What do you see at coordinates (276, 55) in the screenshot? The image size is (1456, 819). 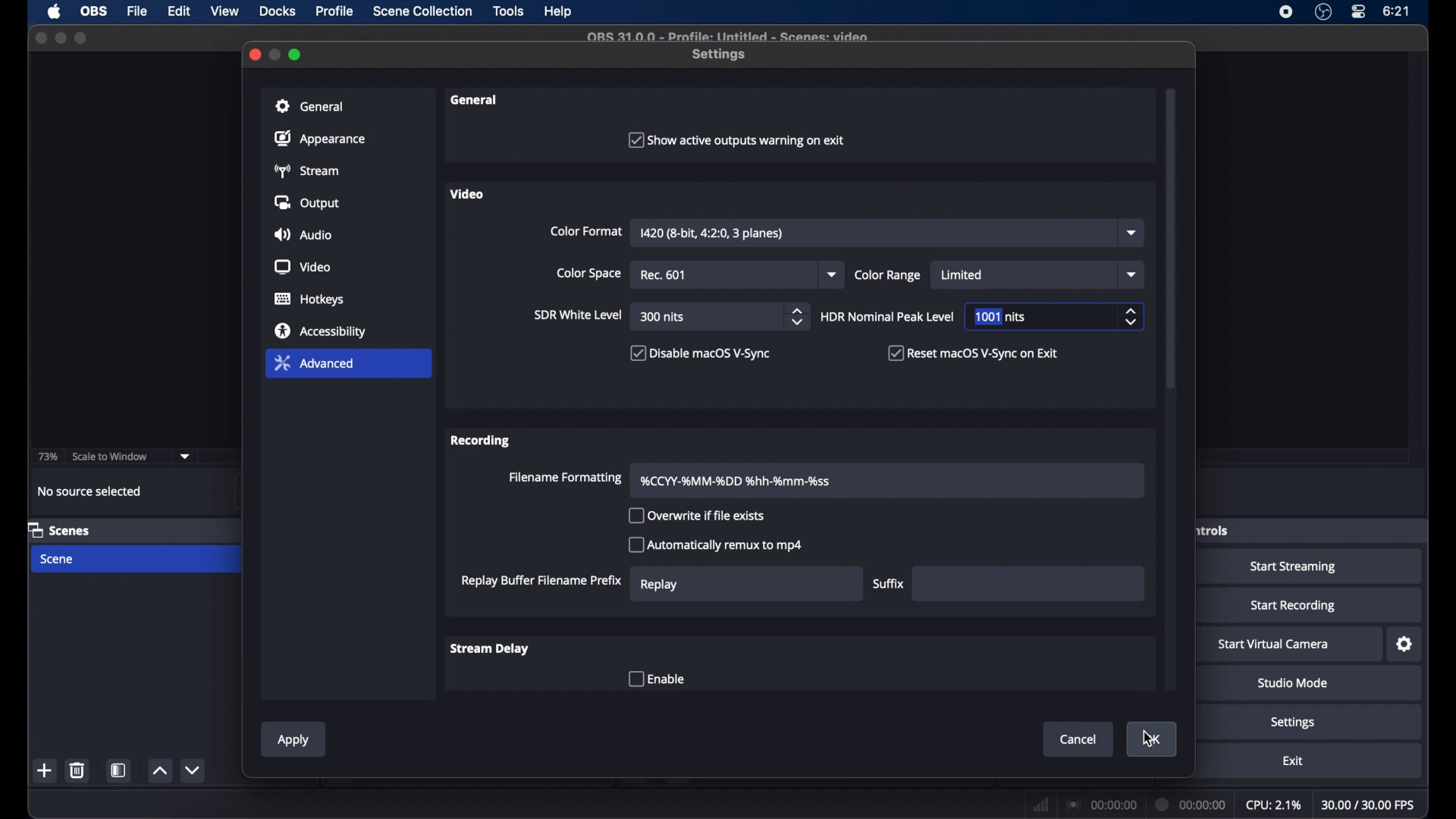 I see `minimize` at bounding box center [276, 55].